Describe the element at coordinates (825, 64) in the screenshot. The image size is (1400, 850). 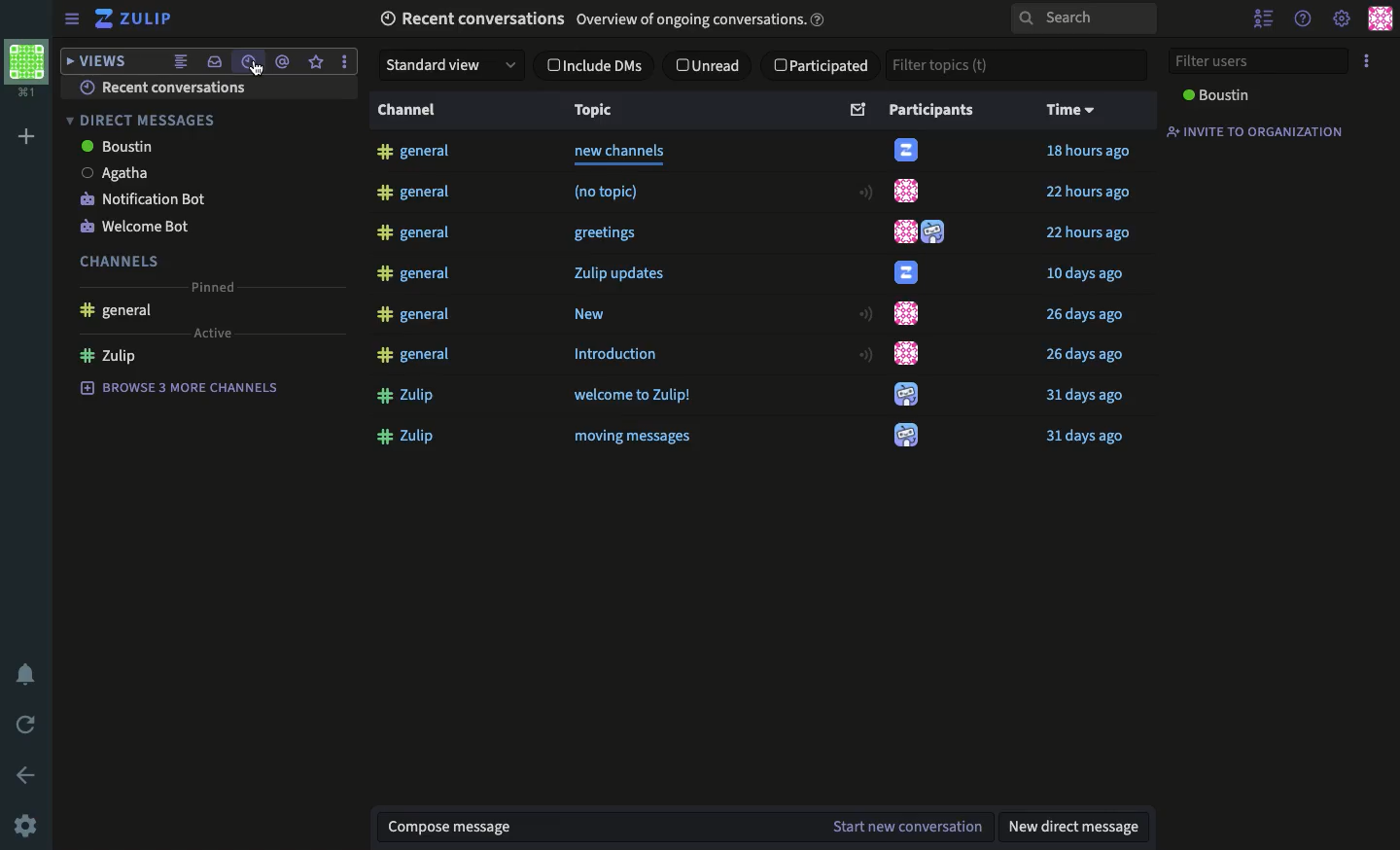
I see `participated ` at that location.